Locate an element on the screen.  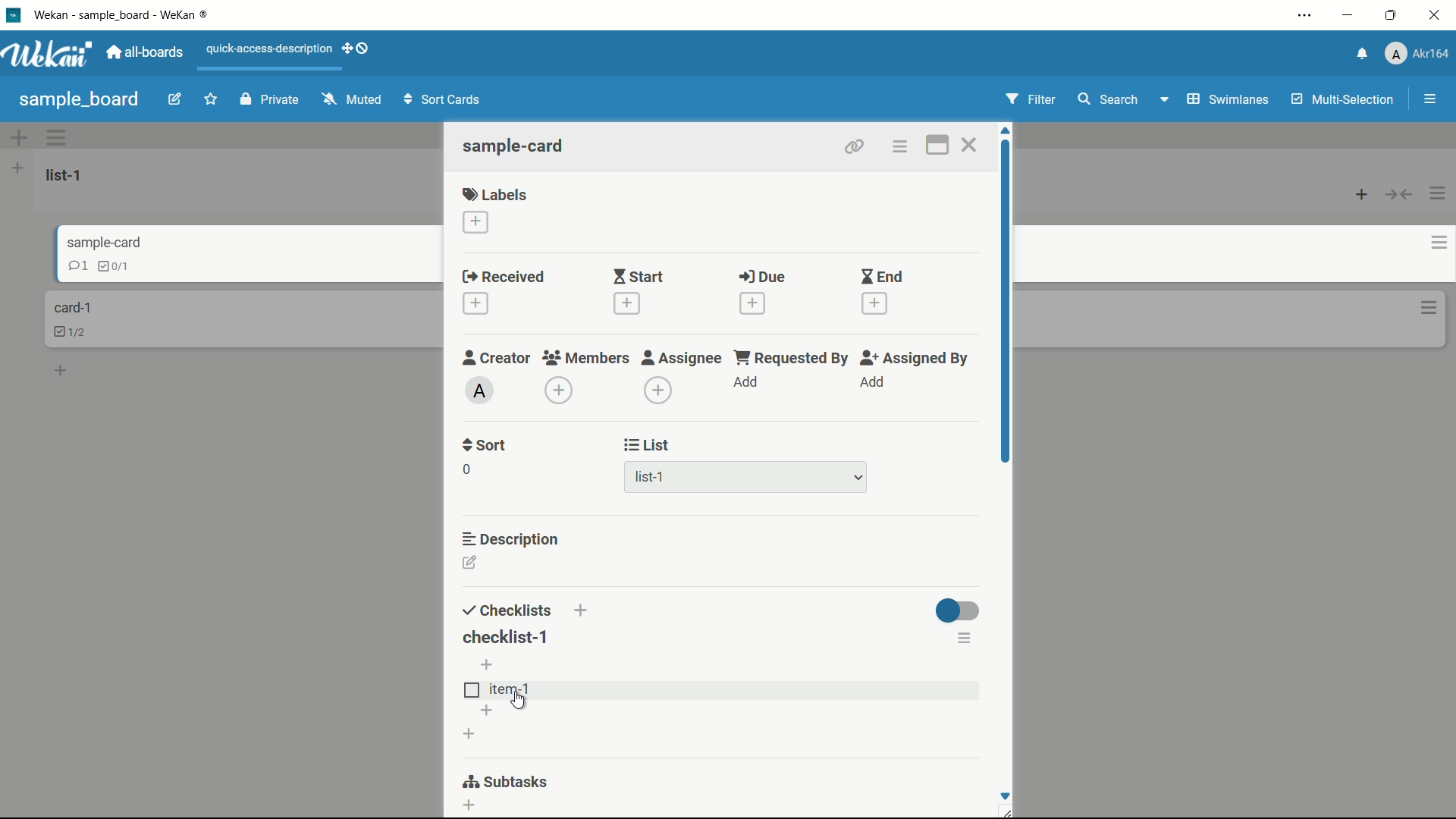
received is located at coordinates (504, 276).